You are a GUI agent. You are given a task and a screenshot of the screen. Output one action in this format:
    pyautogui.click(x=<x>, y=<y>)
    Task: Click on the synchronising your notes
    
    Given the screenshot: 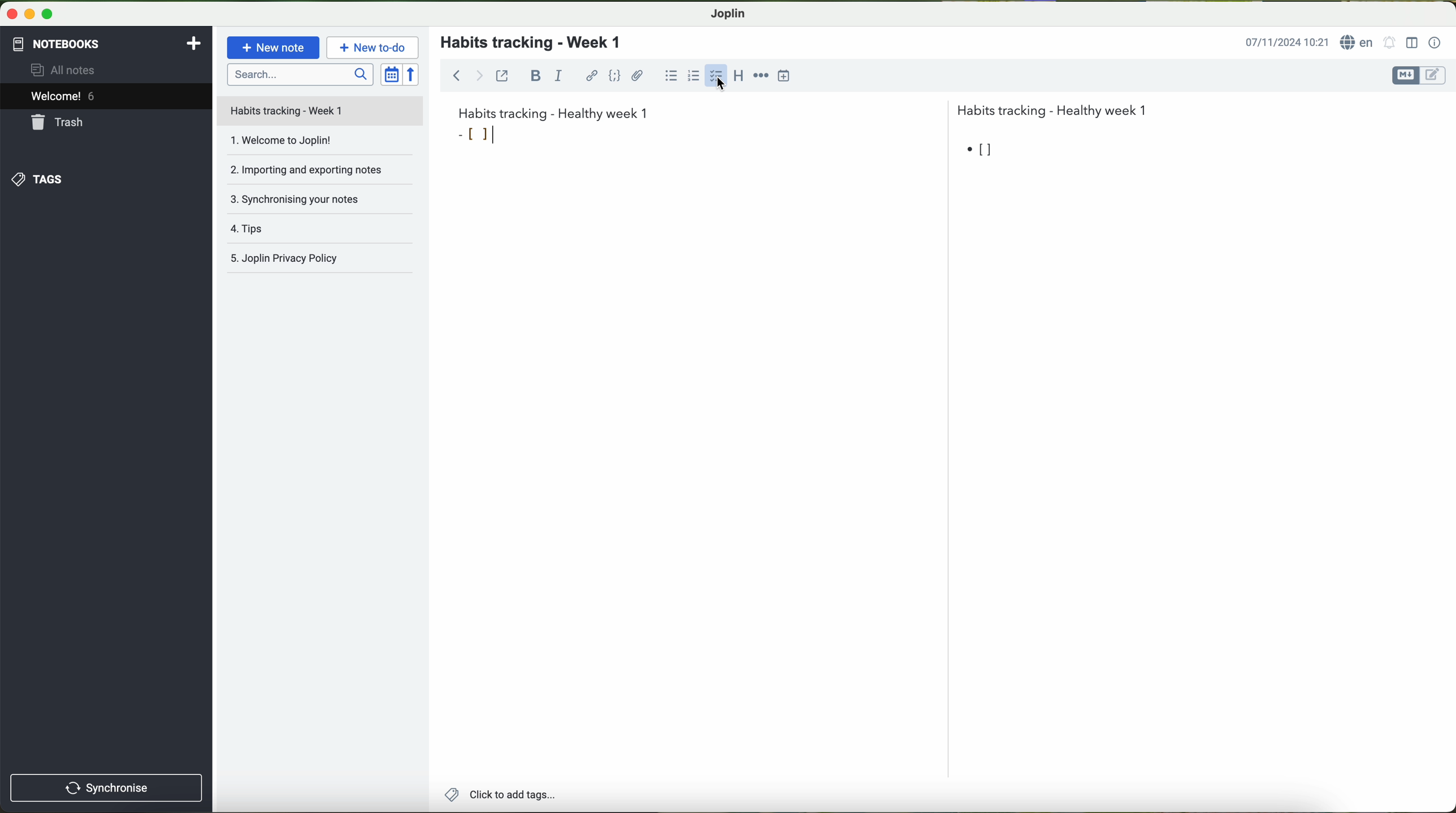 What is the action you would take?
    pyautogui.click(x=324, y=203)
    